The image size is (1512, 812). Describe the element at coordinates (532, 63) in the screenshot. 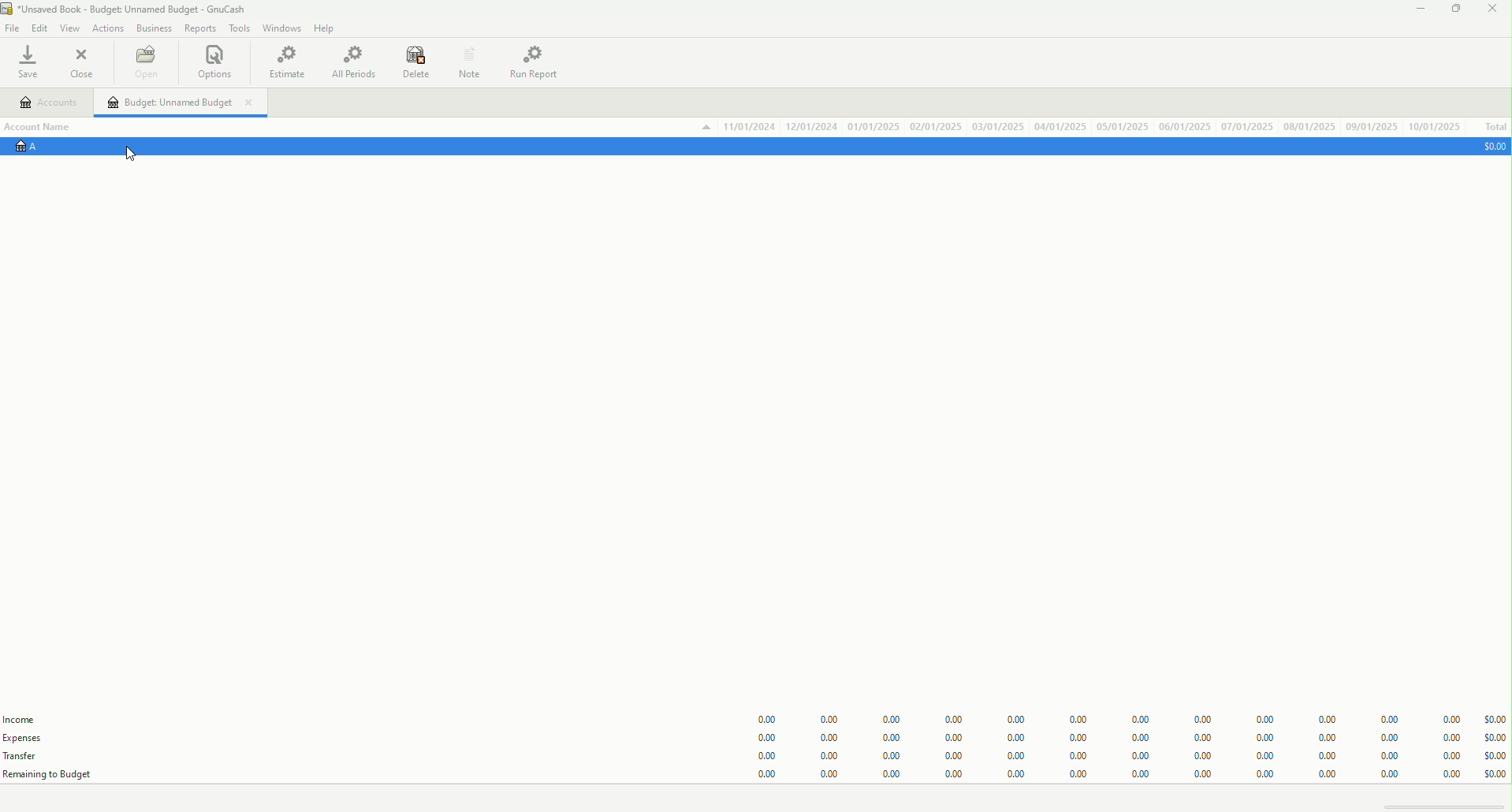

I see `Run Report` at that location.